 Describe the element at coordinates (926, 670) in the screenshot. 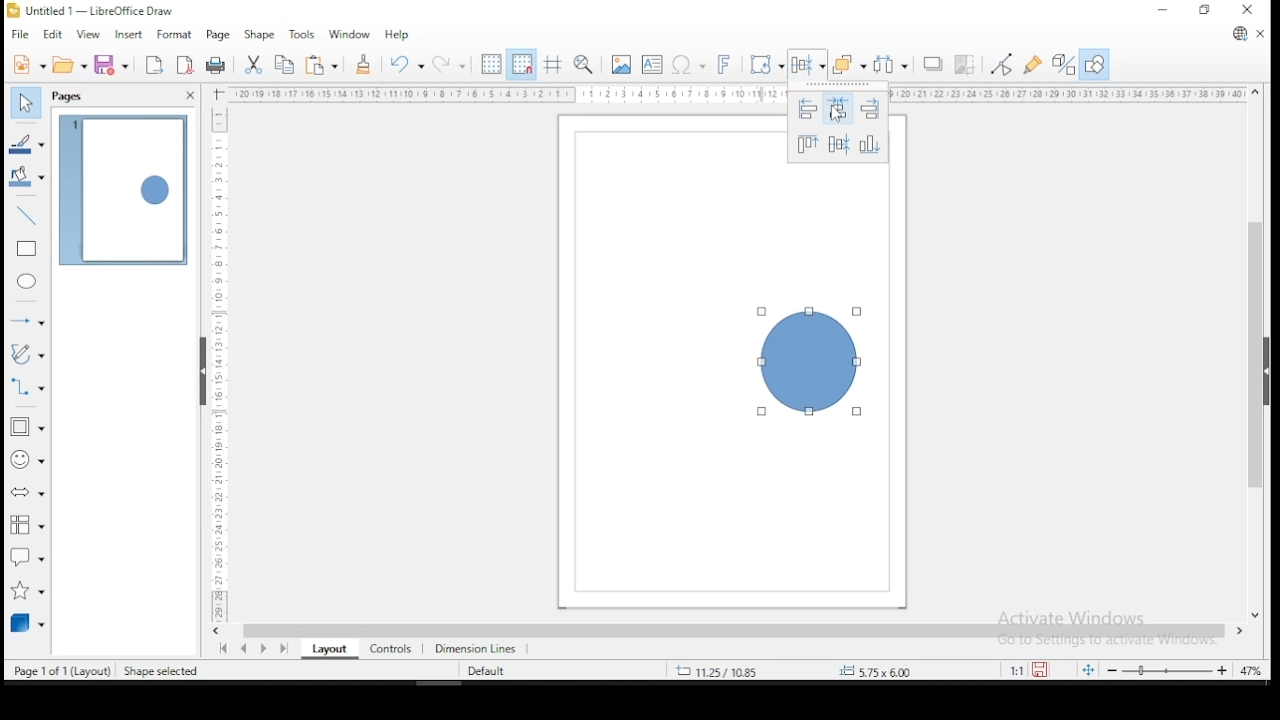

I see `zoom factor` at that location.